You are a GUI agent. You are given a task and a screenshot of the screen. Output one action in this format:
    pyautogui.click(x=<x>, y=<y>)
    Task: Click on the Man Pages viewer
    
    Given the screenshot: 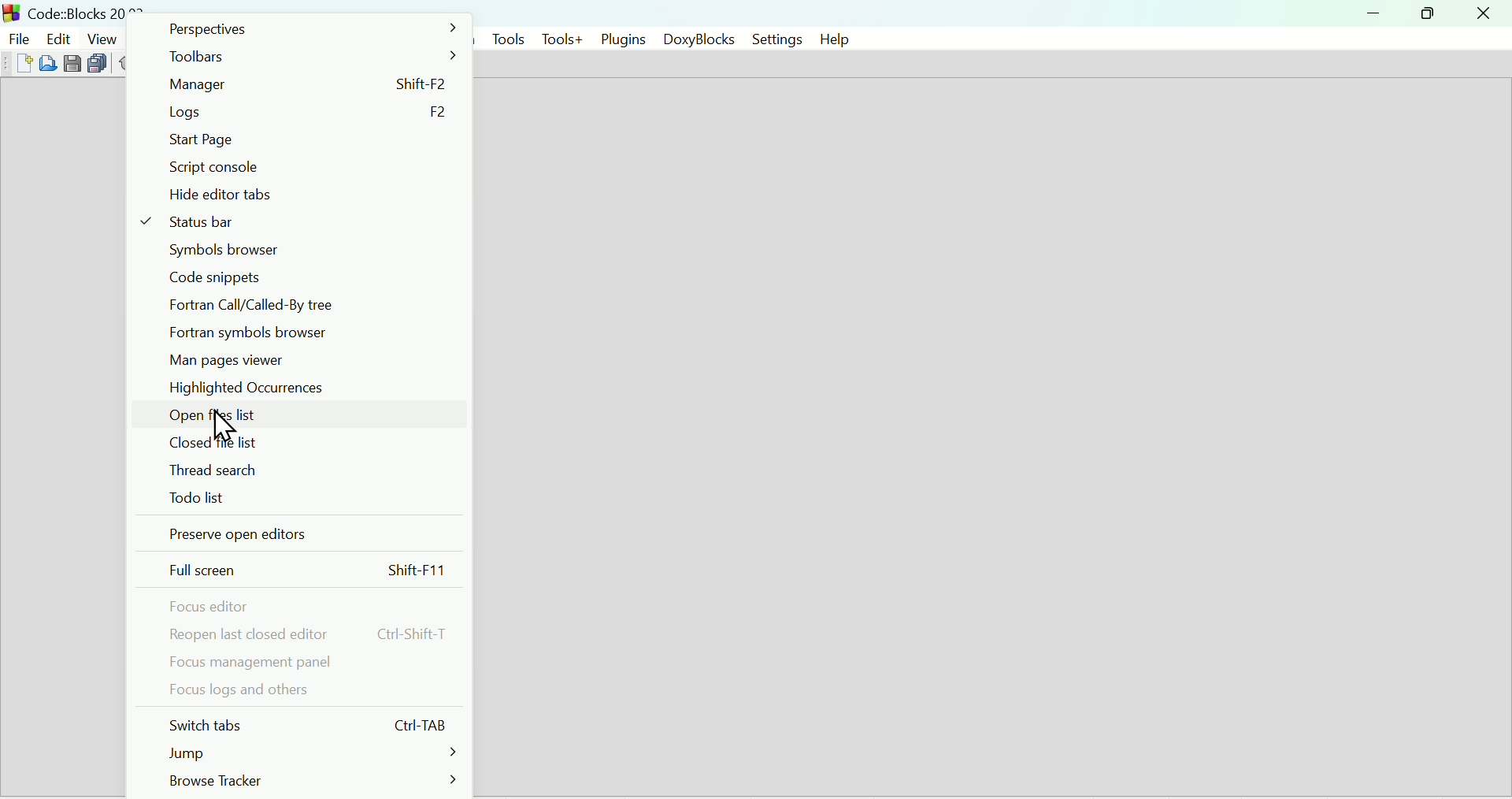 What is the action you would take?
    pyautogui.click(x=306, y=359)
    